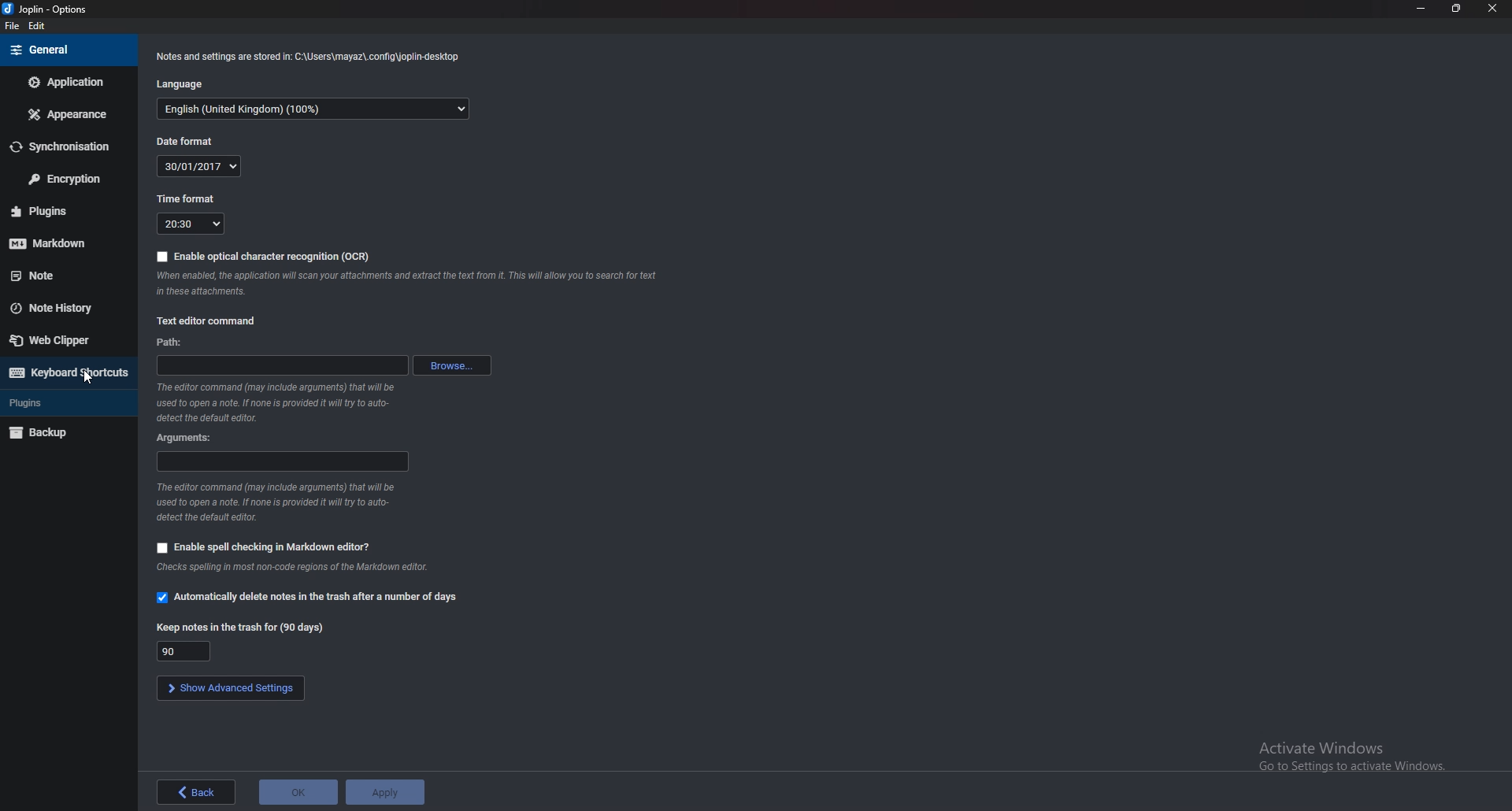  What do you see at coordinates (449, 365) in the screenshot?
I see `browse` at bounding box center [449, 365].